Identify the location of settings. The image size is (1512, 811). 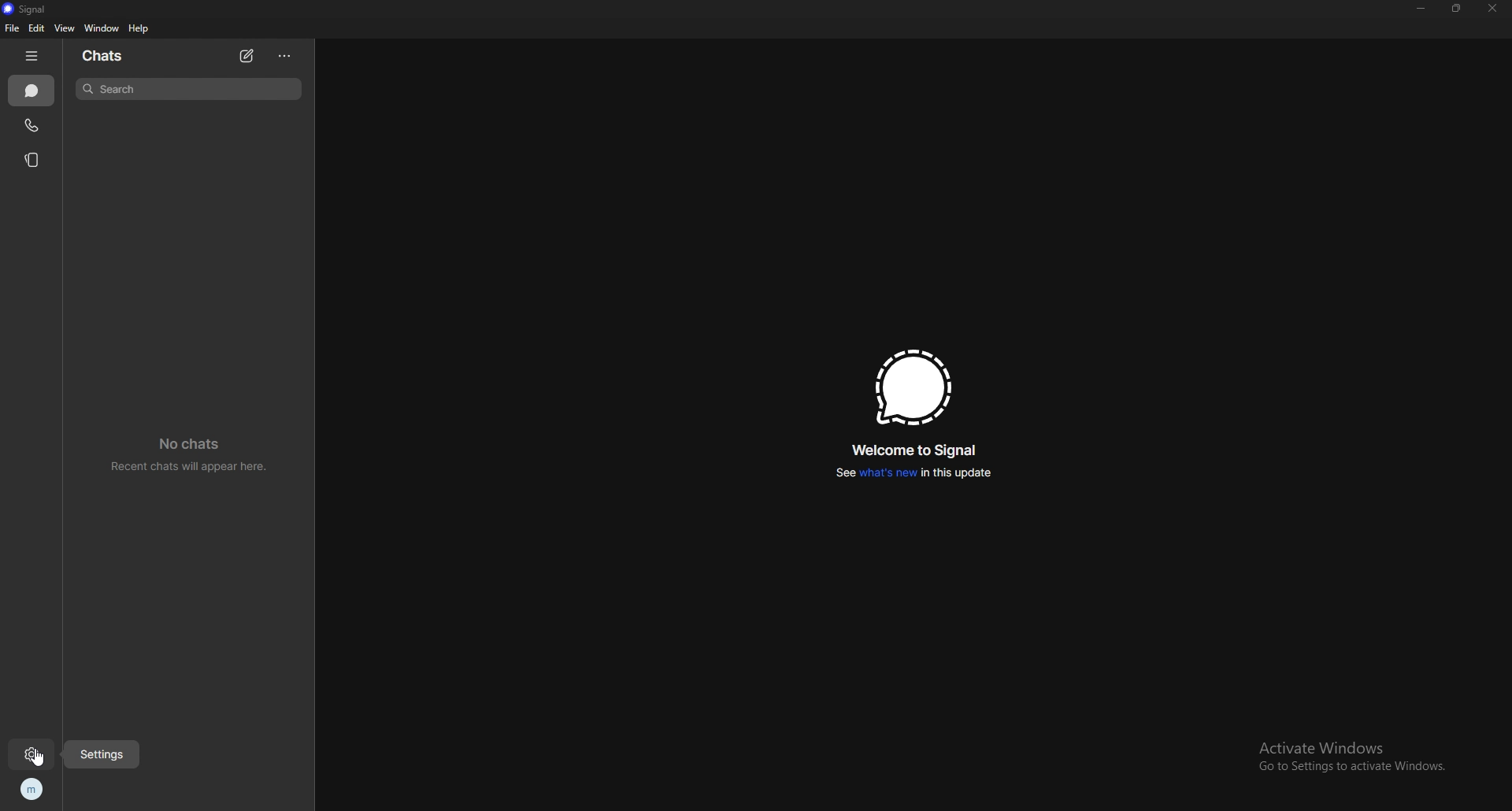
(34, 754).